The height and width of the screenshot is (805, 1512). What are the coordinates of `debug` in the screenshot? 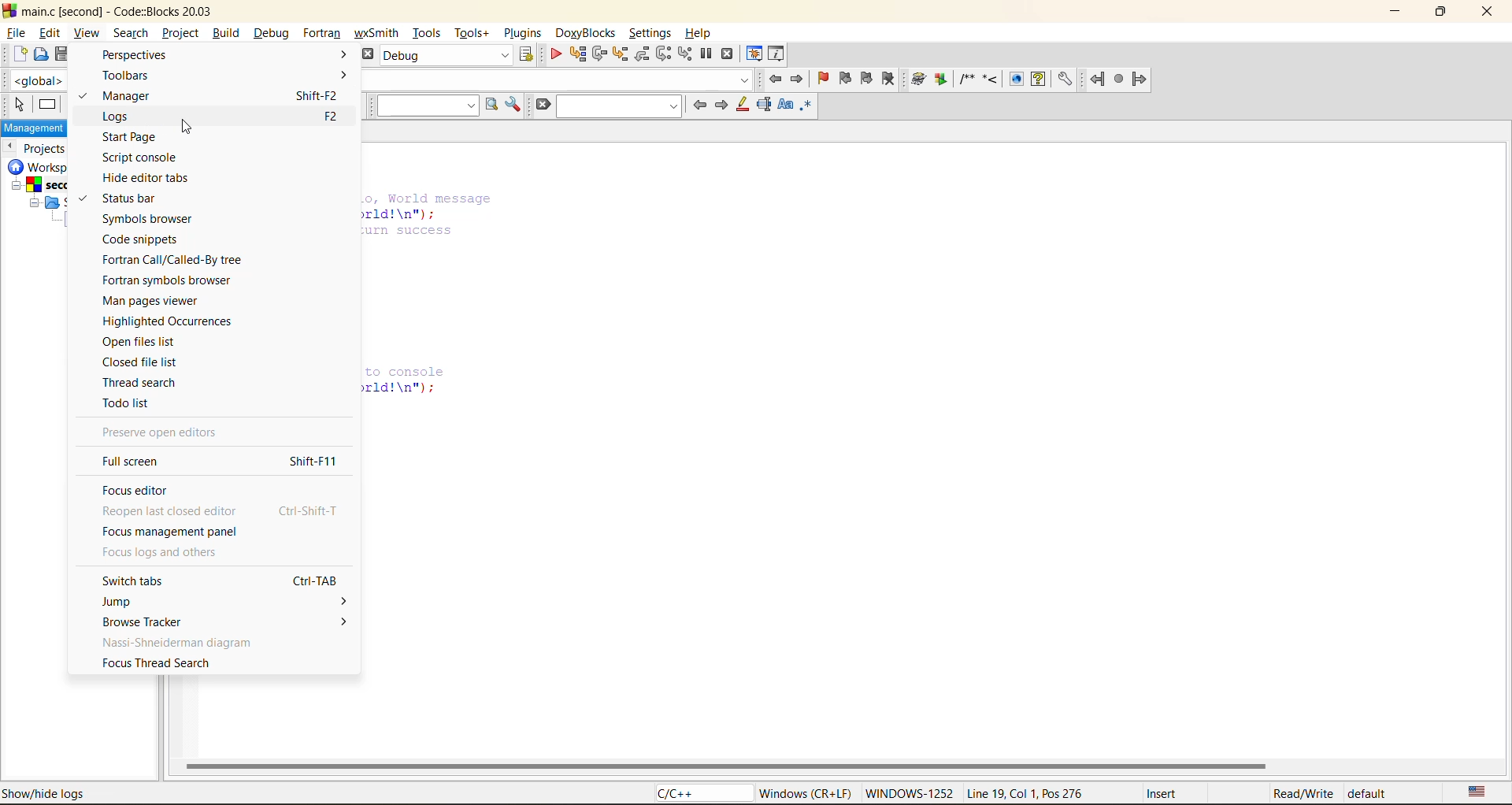 It's located at (556, 54).